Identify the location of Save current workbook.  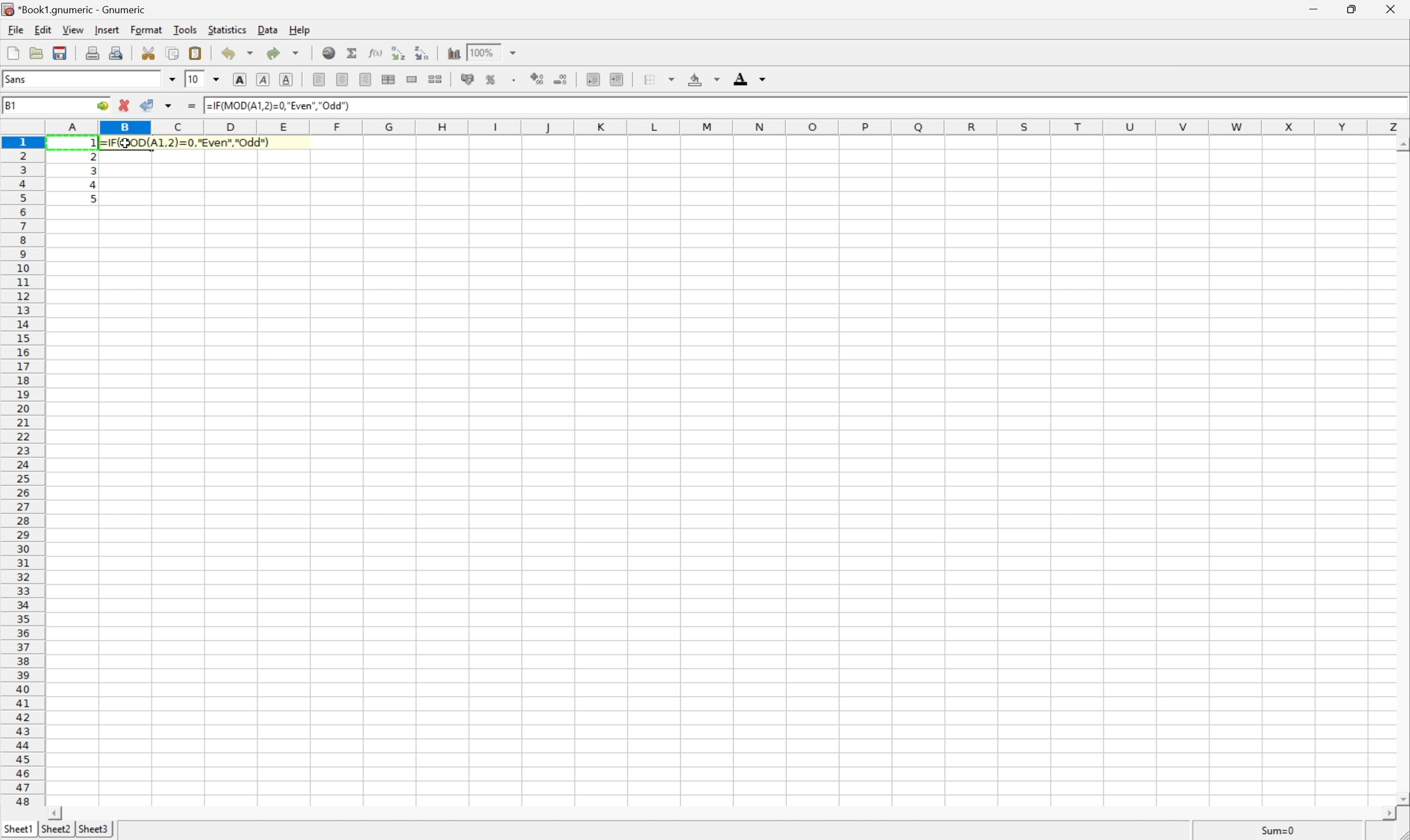
(59, 52).